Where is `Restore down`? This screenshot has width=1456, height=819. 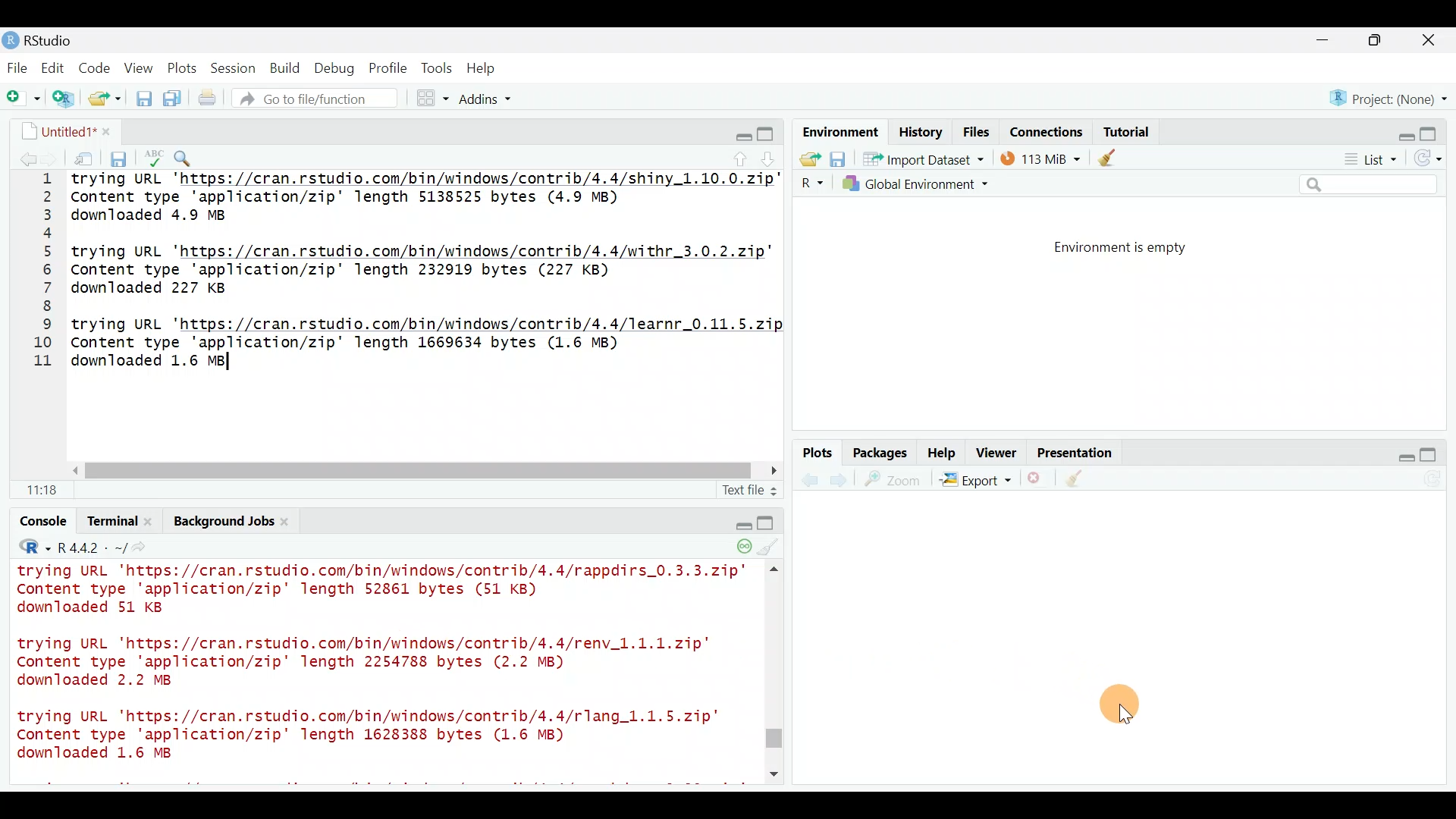
Restore down is located at coordinates (1400, 131).